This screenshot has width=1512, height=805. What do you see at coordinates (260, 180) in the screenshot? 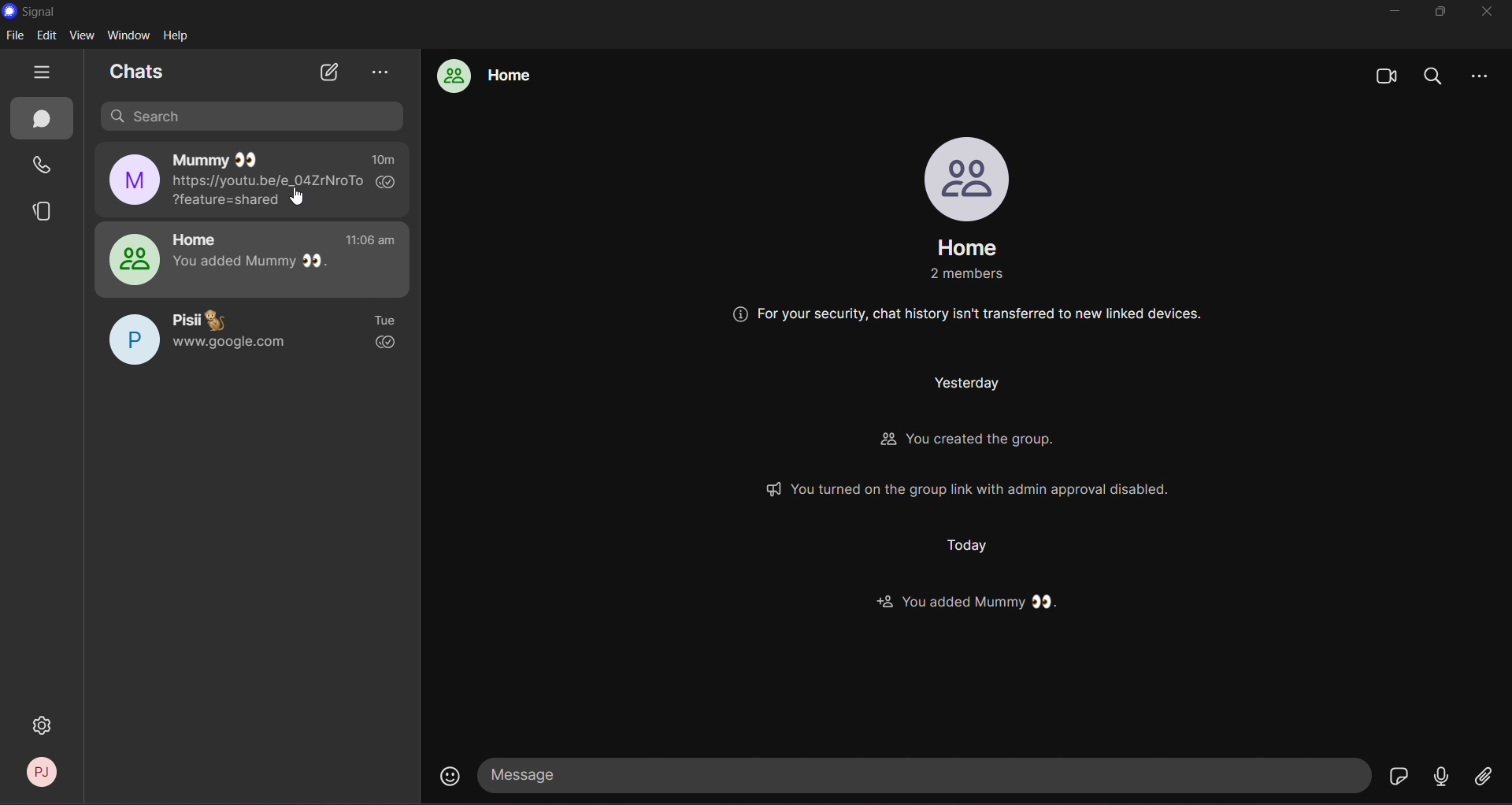
I see `mummy chat` at bounding box center [260, 180].